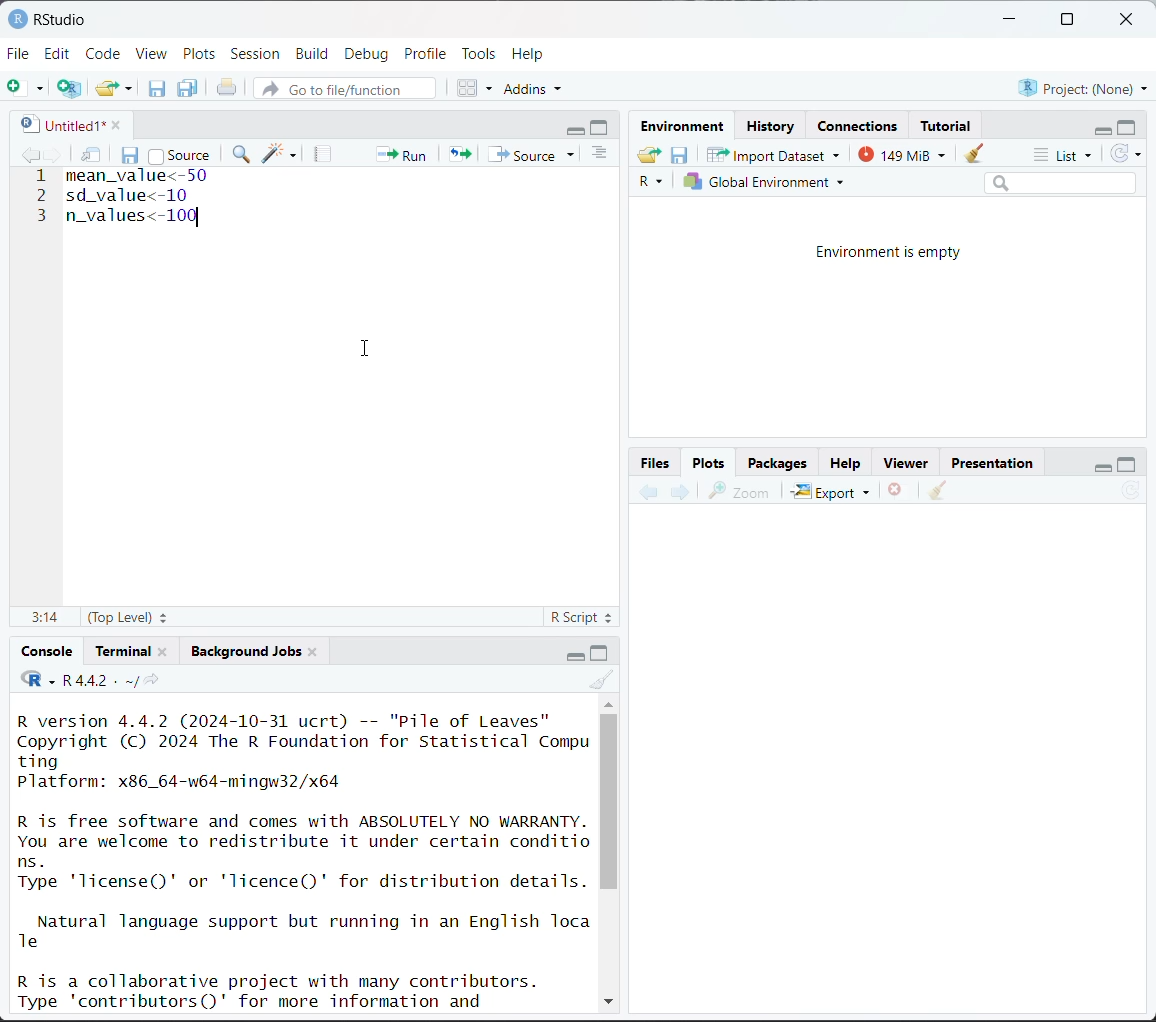  What do you see at coordinates (315, 54) in the screenshot?
I see `Build` at bounding box center [315, 54].